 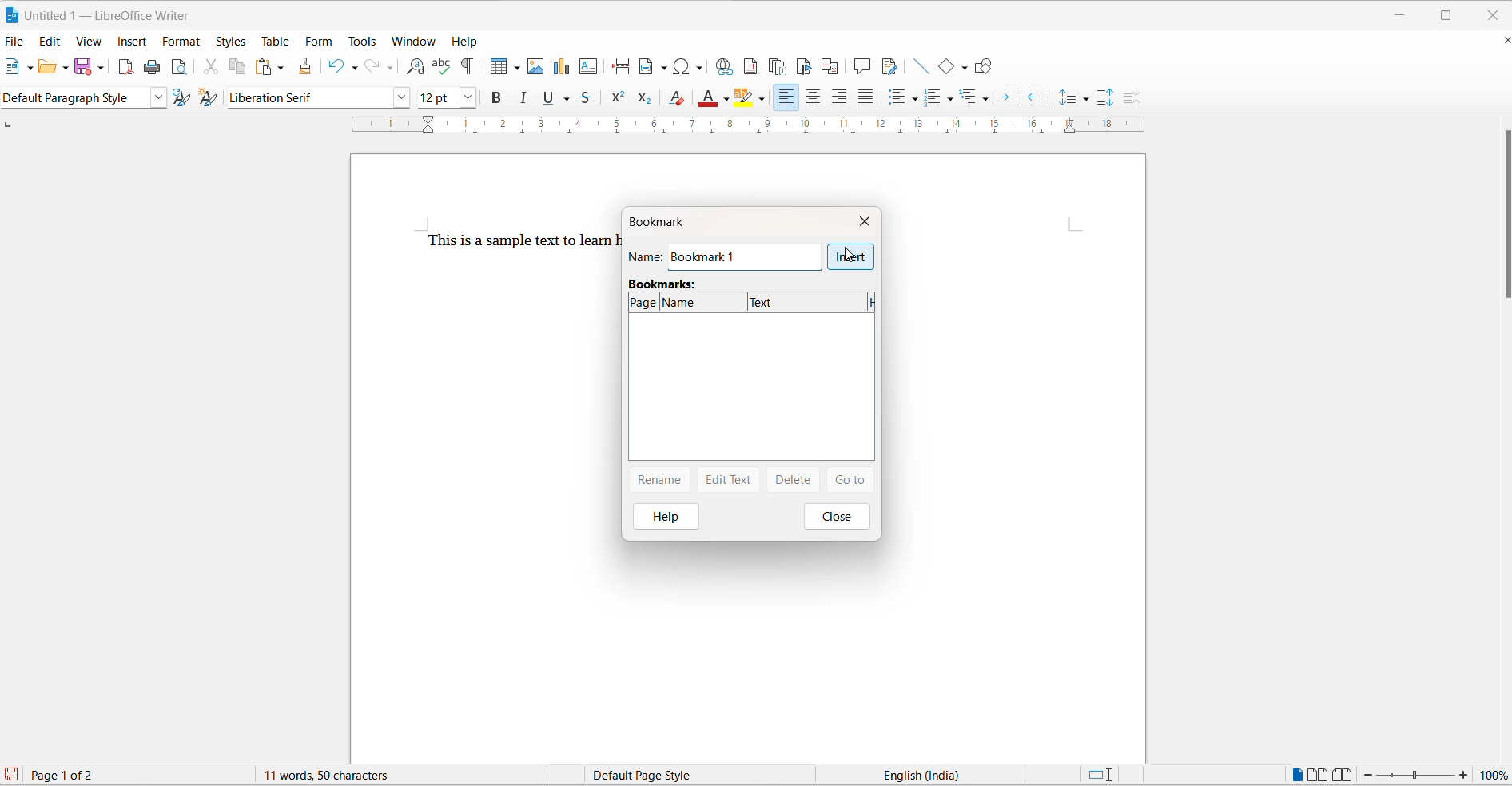 I want to click on undo options, so click(x=356, y=66).